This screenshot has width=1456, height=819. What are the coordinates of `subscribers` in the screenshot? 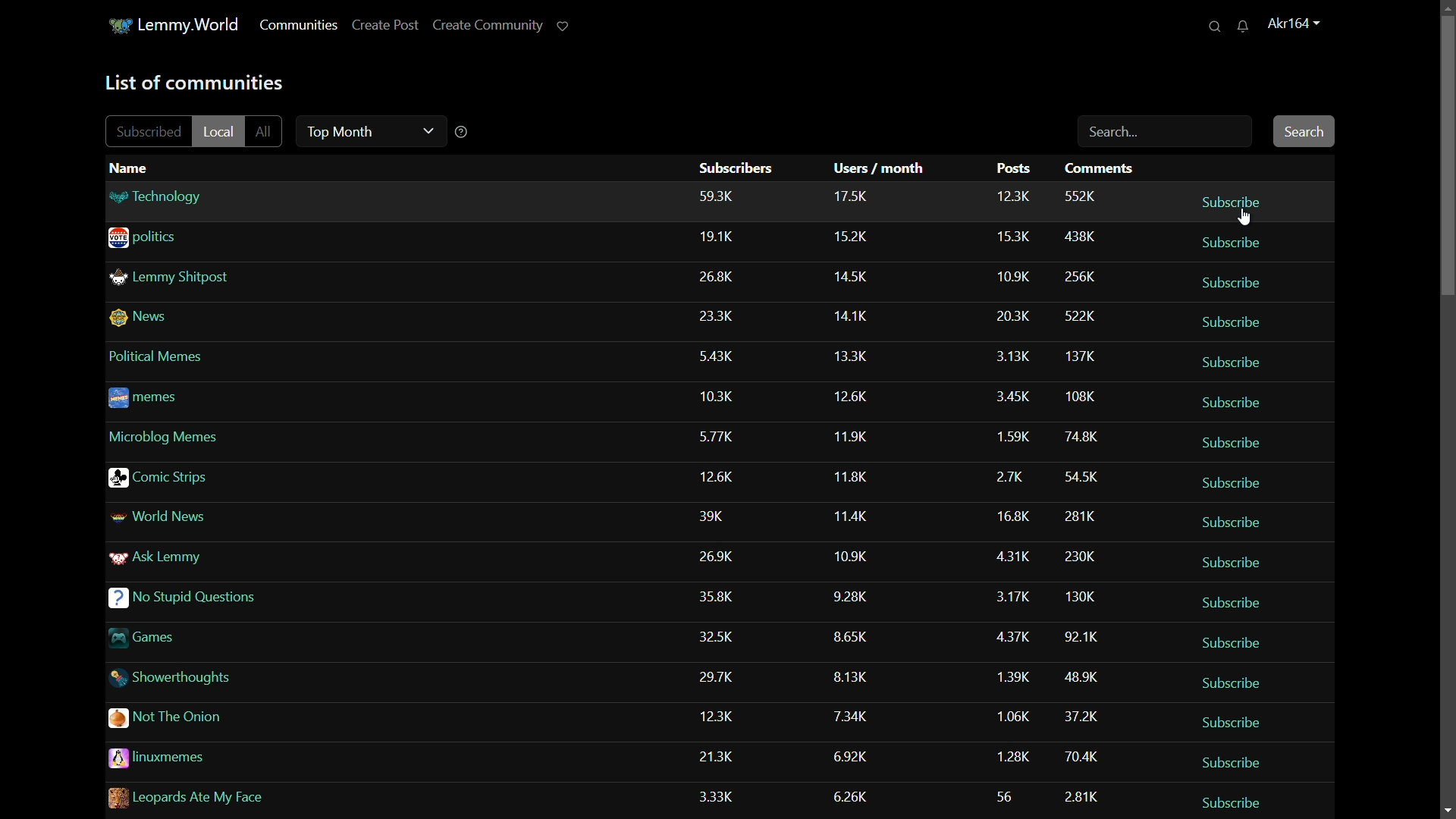 It's located at (720, 521).